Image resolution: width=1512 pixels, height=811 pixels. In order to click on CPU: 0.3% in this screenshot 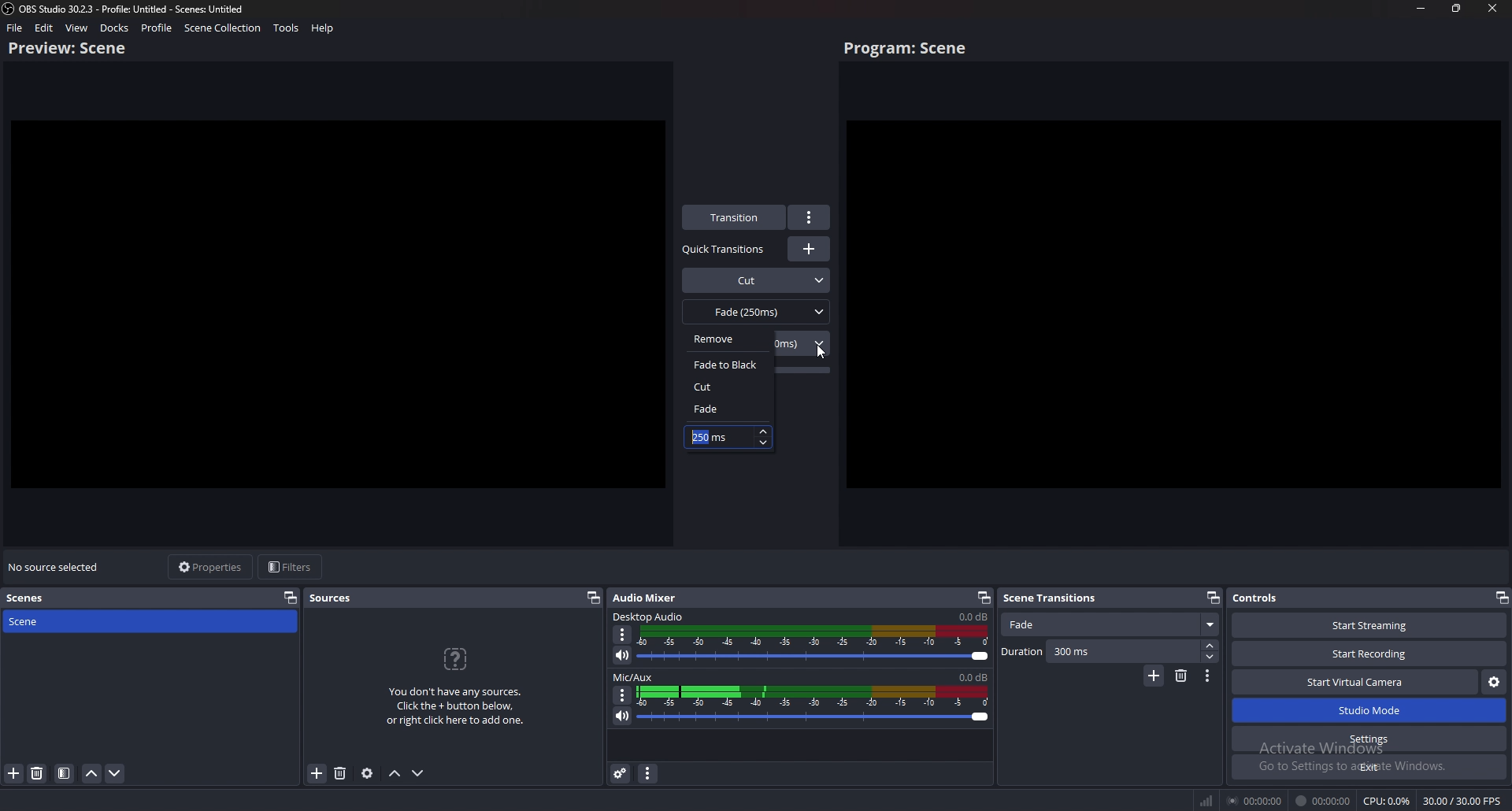, I will do `click(1388, 801)`.